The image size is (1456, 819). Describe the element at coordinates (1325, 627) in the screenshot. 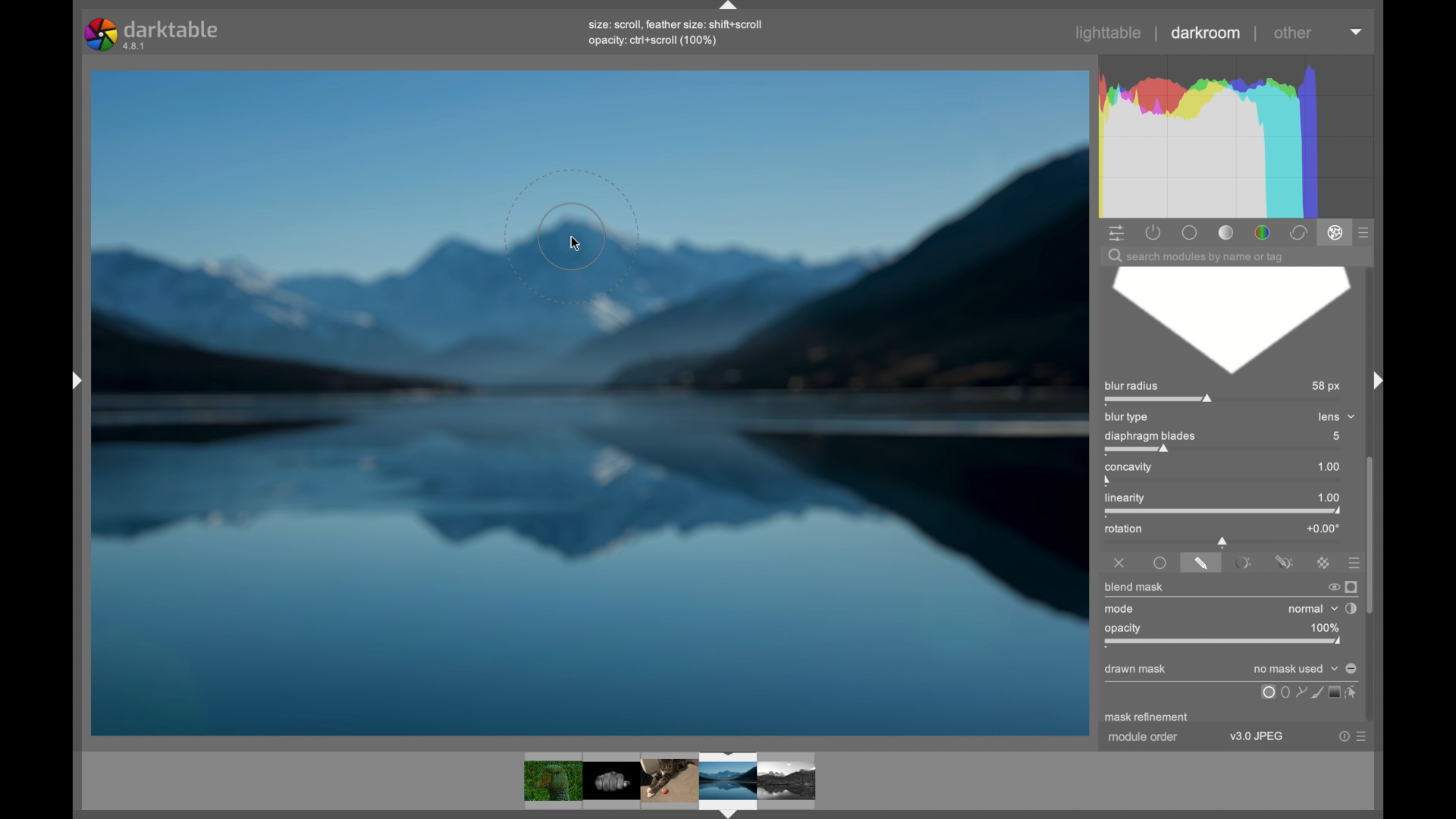

I see `100%` at that location.